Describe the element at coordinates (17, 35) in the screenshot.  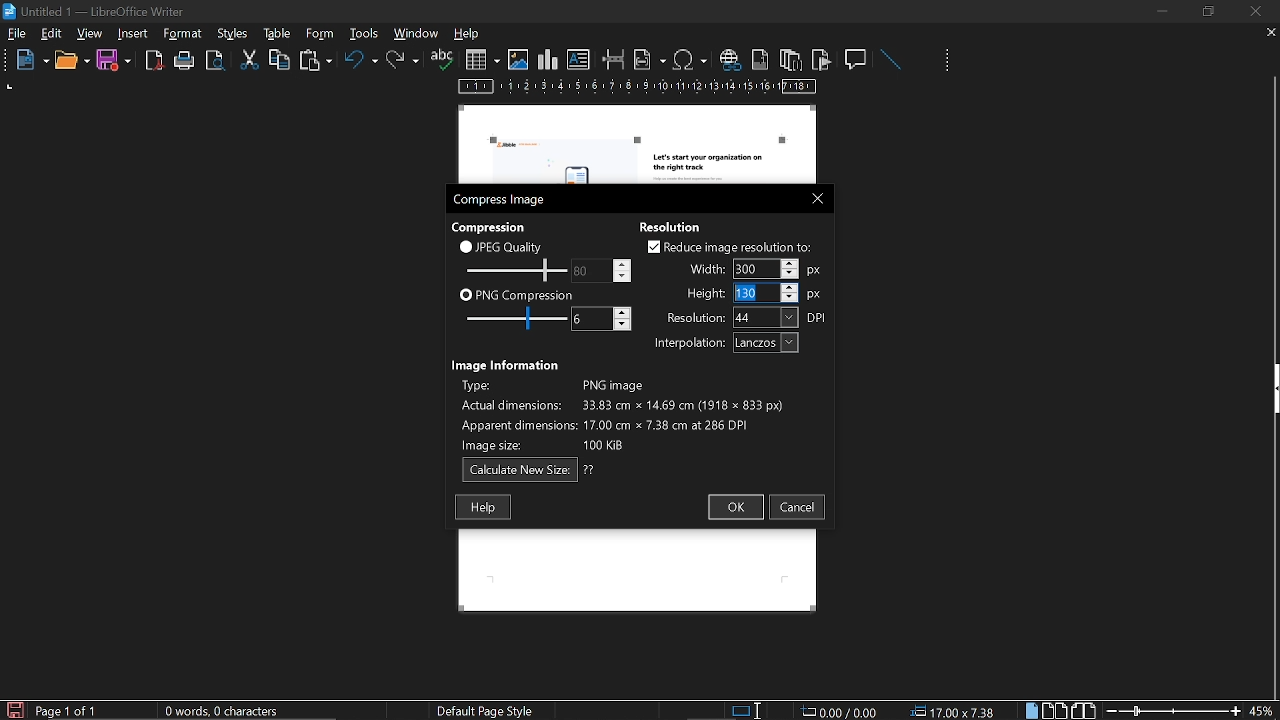
I see `file` at that location.